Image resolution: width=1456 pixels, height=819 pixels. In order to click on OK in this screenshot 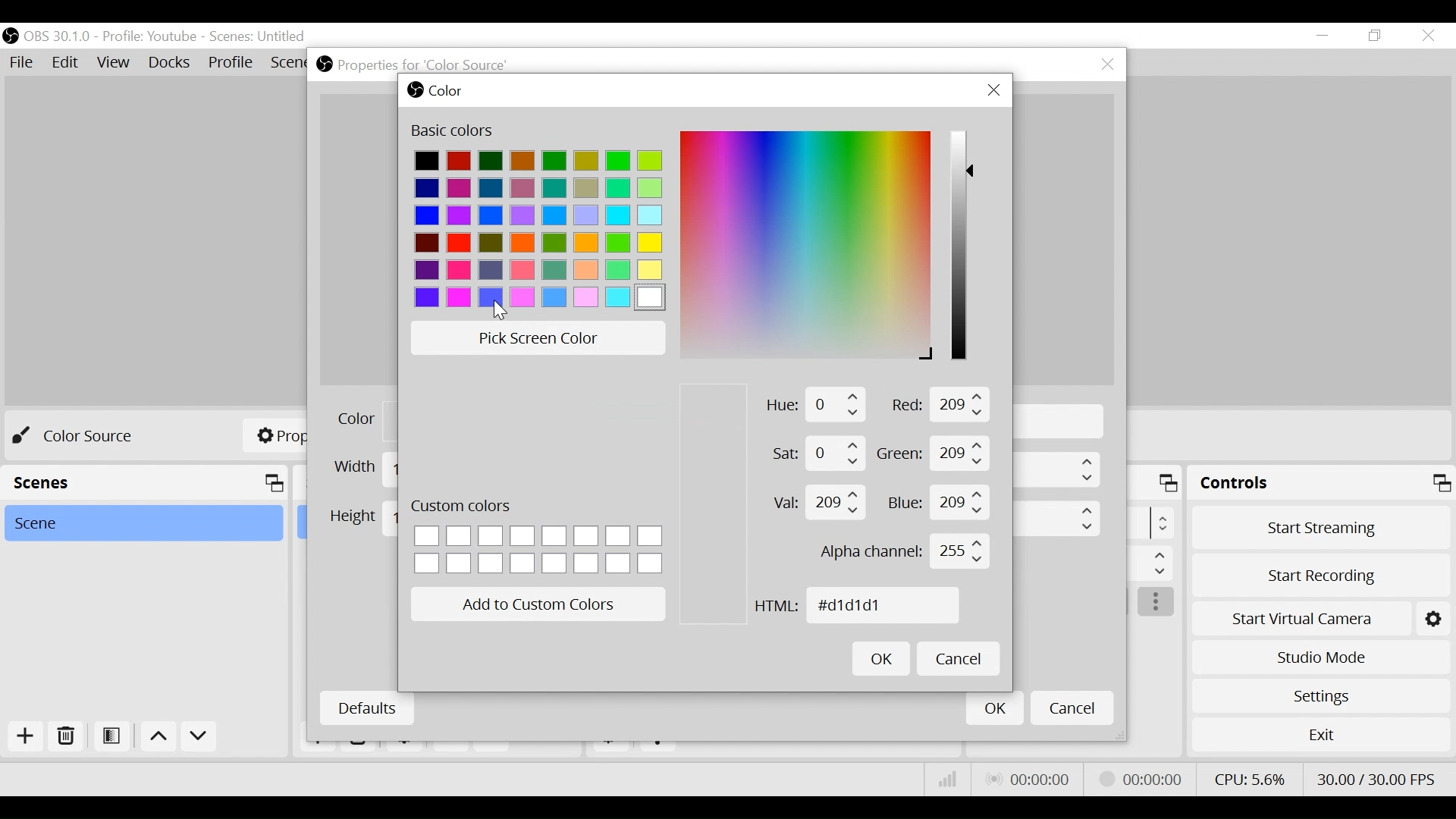, I will do `click(880, 660)`.